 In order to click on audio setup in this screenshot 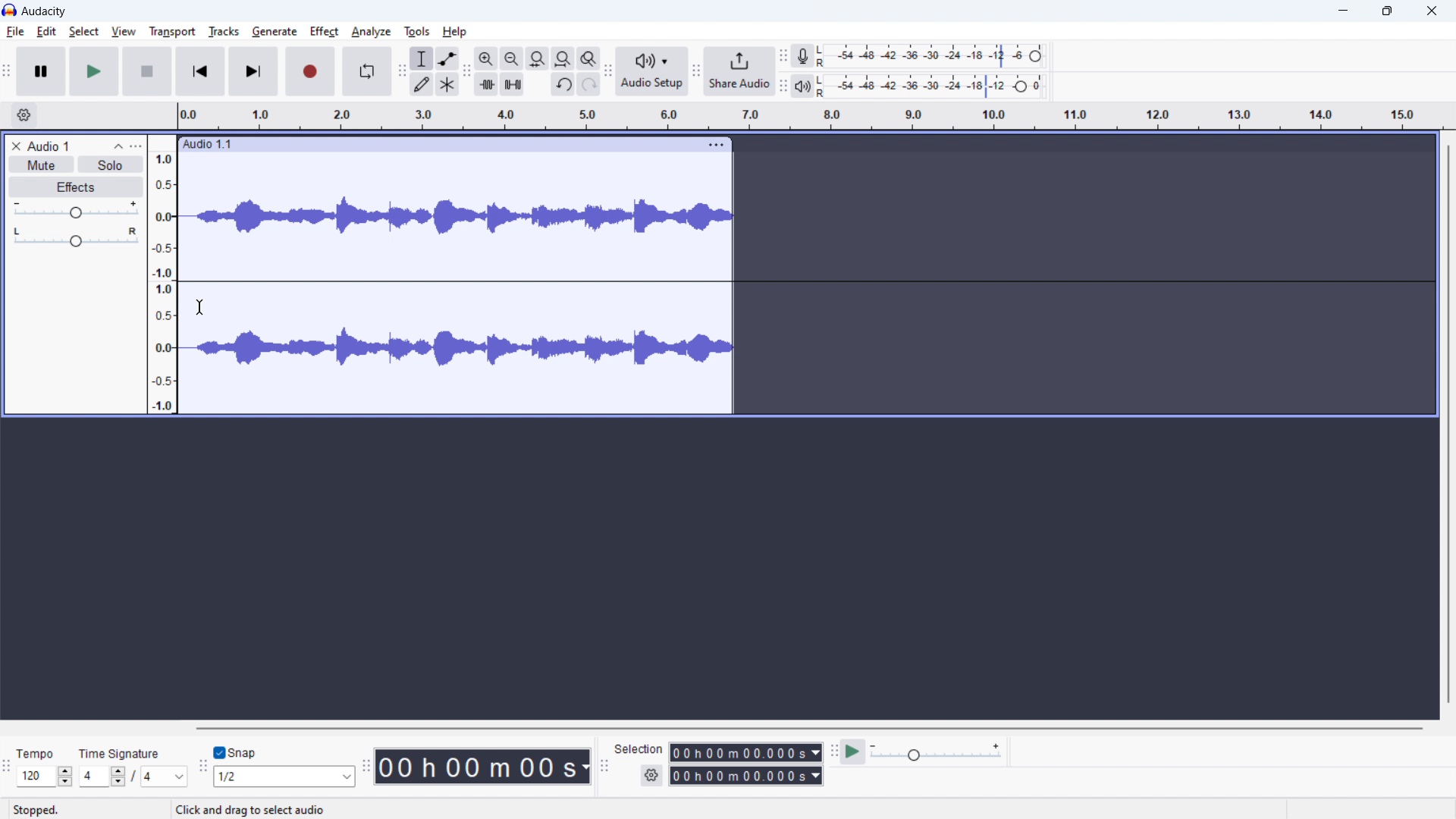, I will do `click(651, 71)`.